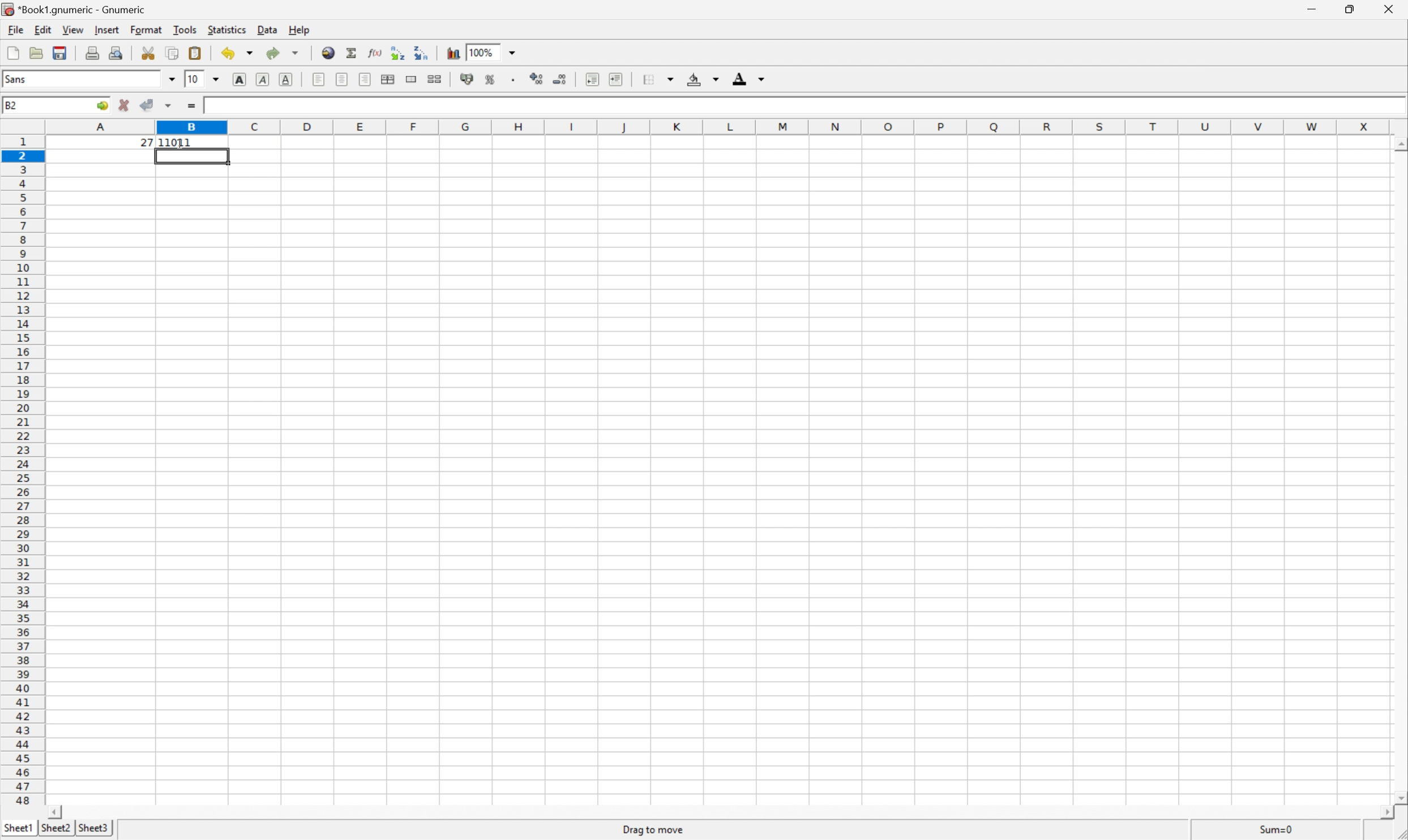  Describe the element at coordinates (1388, 8) in the screenshot. I see `Close` at that location.